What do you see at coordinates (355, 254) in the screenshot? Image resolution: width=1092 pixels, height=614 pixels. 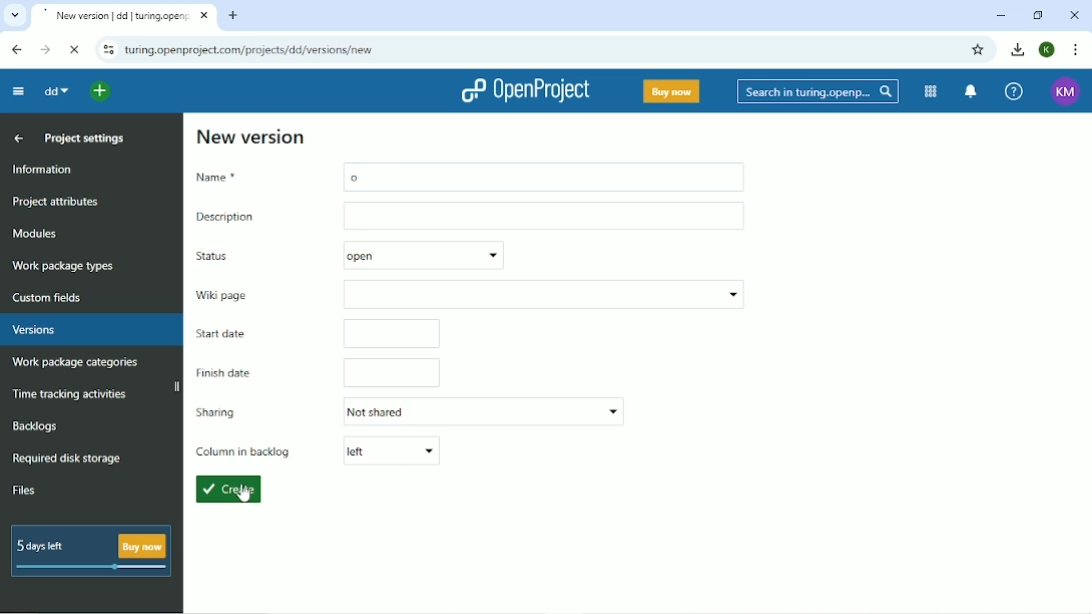 I see `open` at bounding box center [355, 254].